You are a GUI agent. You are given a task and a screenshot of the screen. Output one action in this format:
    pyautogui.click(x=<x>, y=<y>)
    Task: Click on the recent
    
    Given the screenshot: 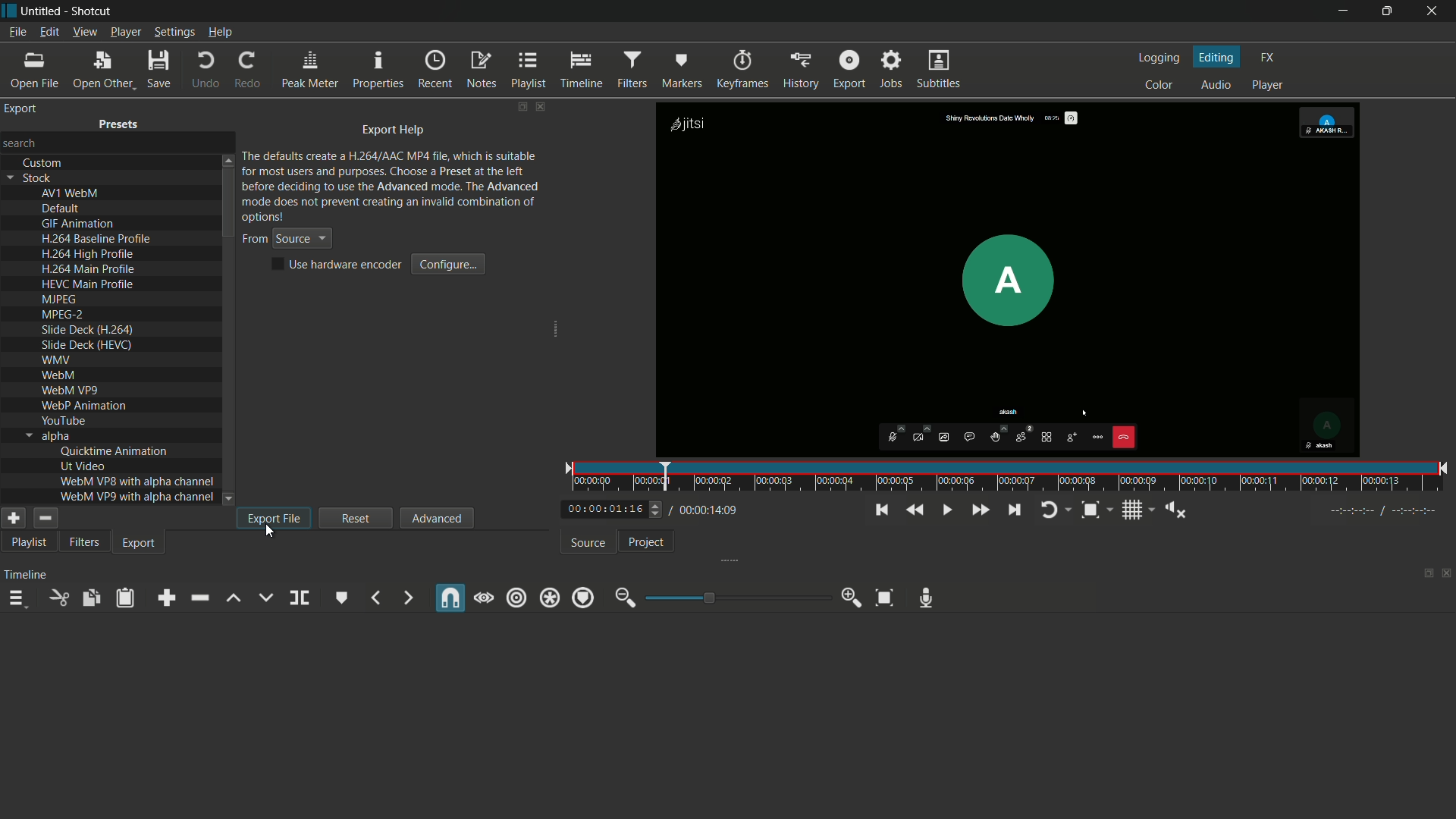 What is the action you would take?
    pyautogui.click(x=435, y=69)
    